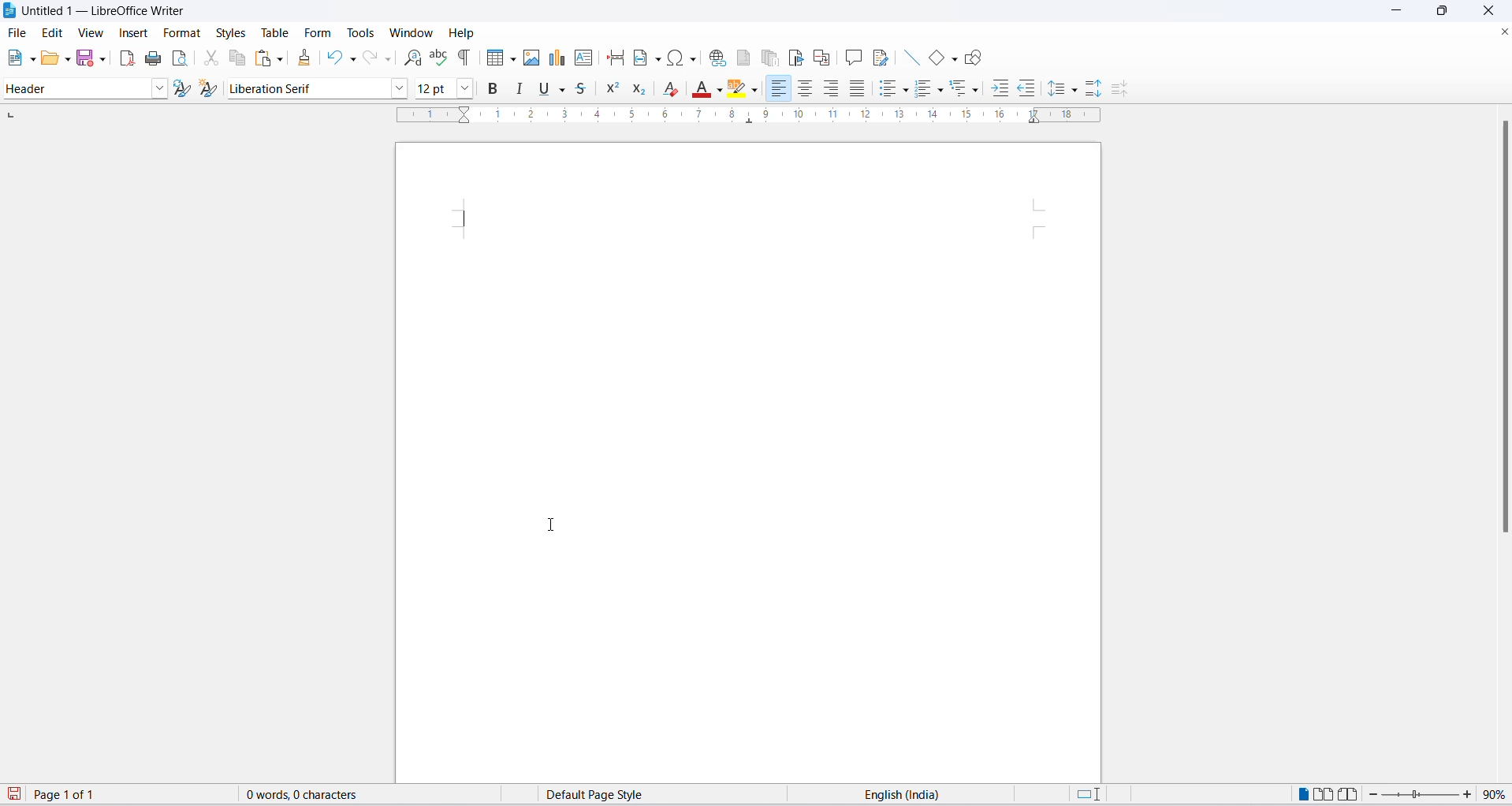 This screenshot has height=806, width=1512. What do you see at coordinates (402, 88) in the screenshot?
I see `font name options` at bounding box center [402, 88].